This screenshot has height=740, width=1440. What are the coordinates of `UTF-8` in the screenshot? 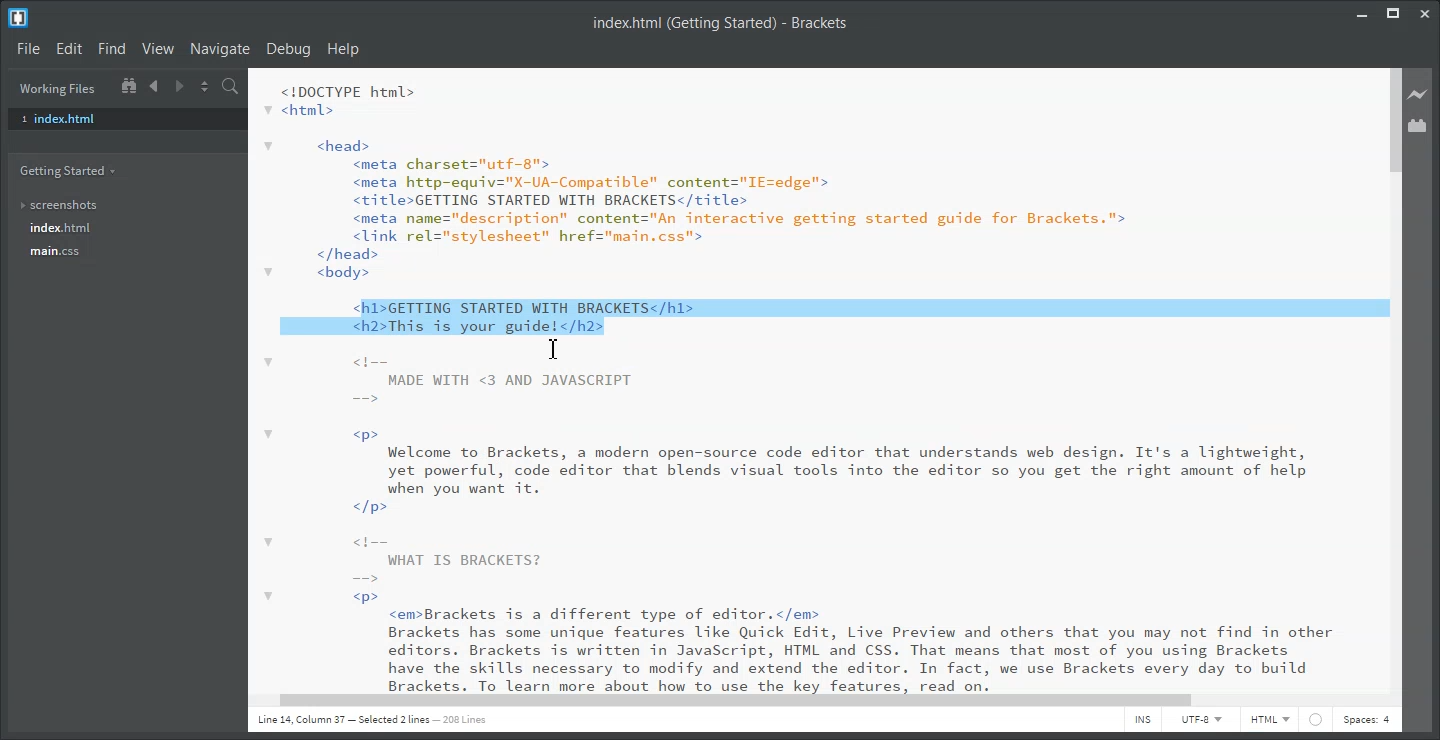 It's located at (1203, 721).